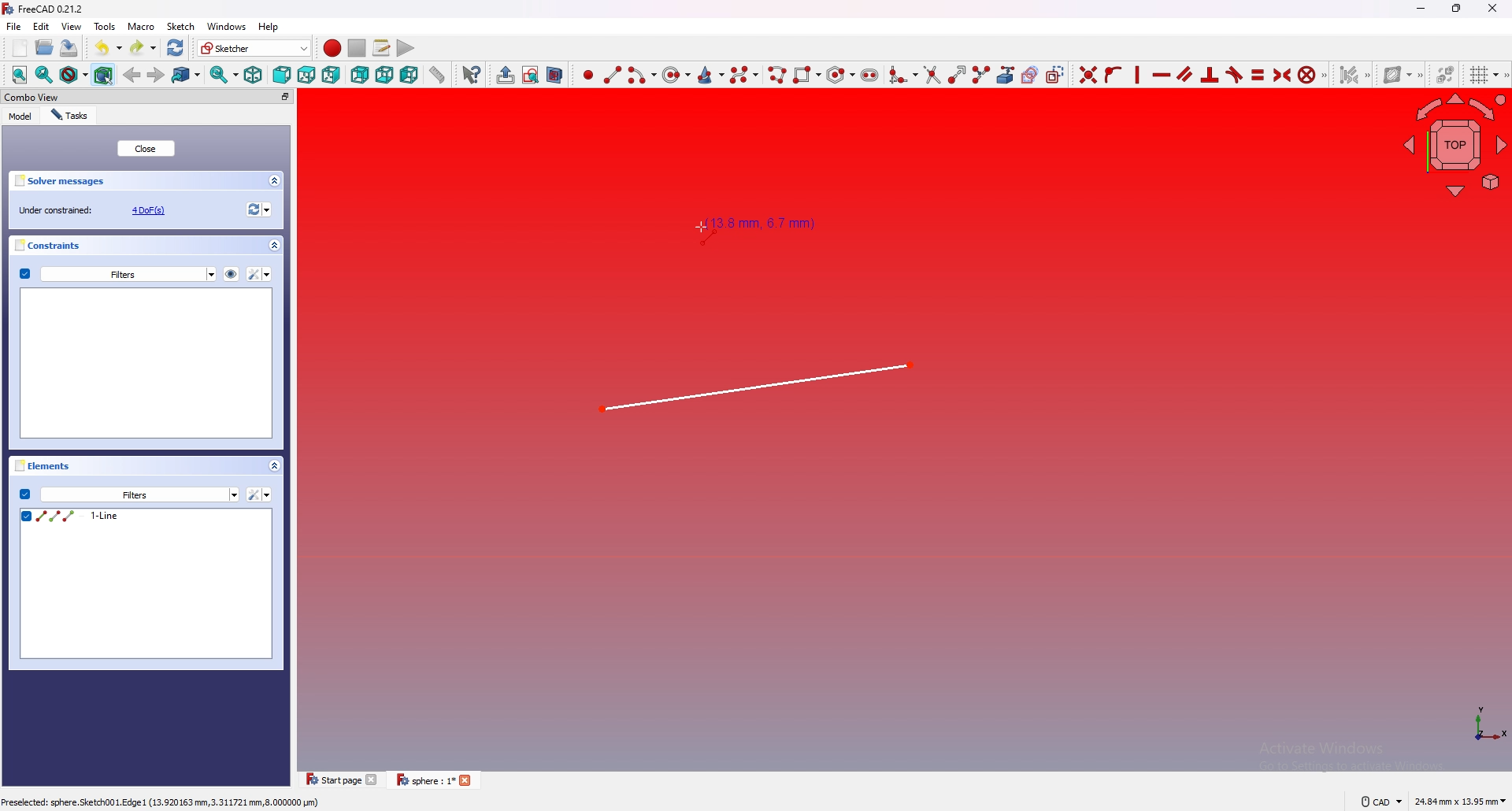 This screenshot has width=1512, height=811. I want to click on Left, so click(409, 75).